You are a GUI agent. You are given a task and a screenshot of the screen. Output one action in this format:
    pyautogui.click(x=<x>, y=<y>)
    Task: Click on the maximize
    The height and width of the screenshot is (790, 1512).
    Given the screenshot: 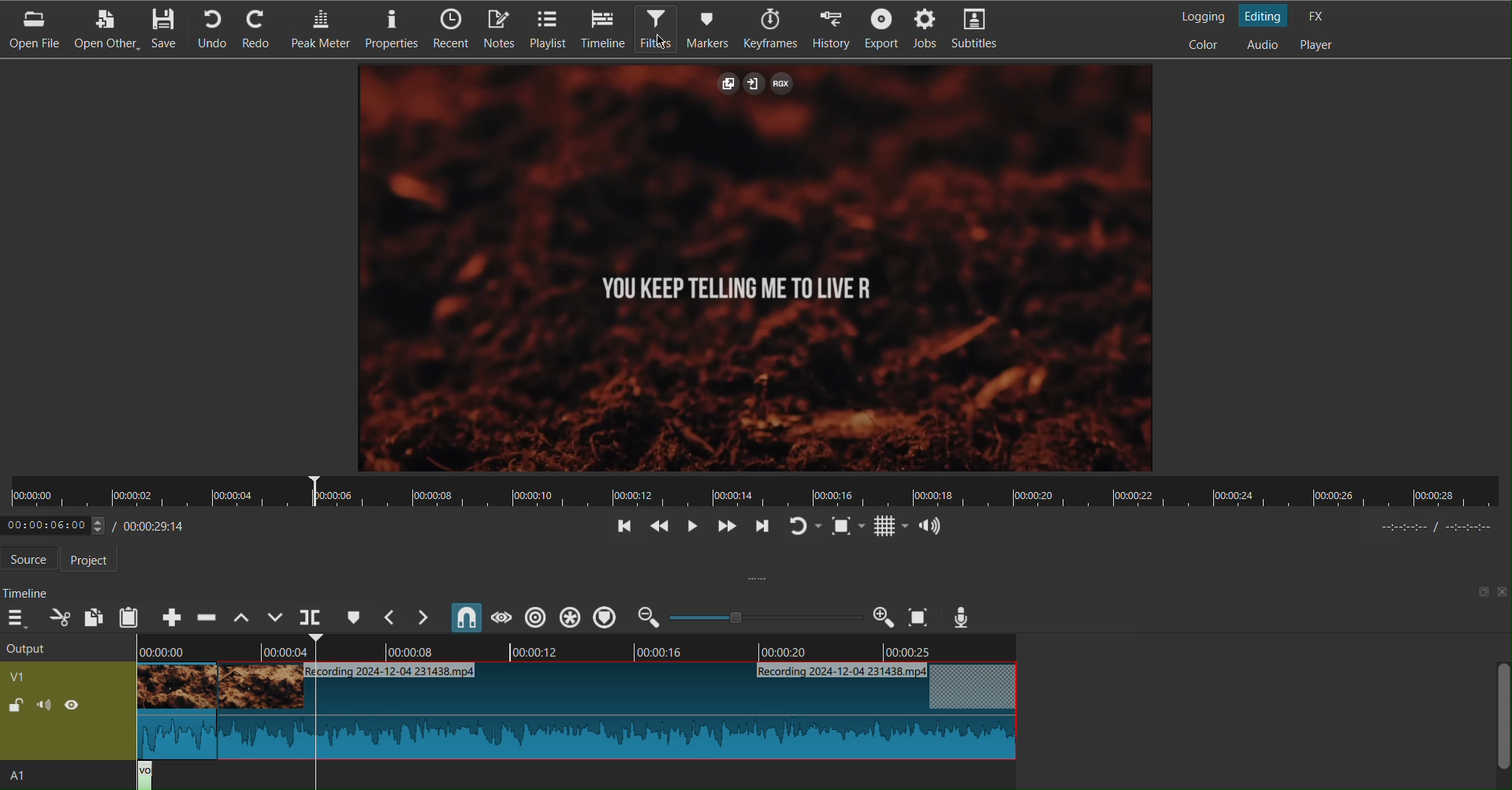 What is the action you would take?
    pyautogui.click(x=1476, y=591)
    